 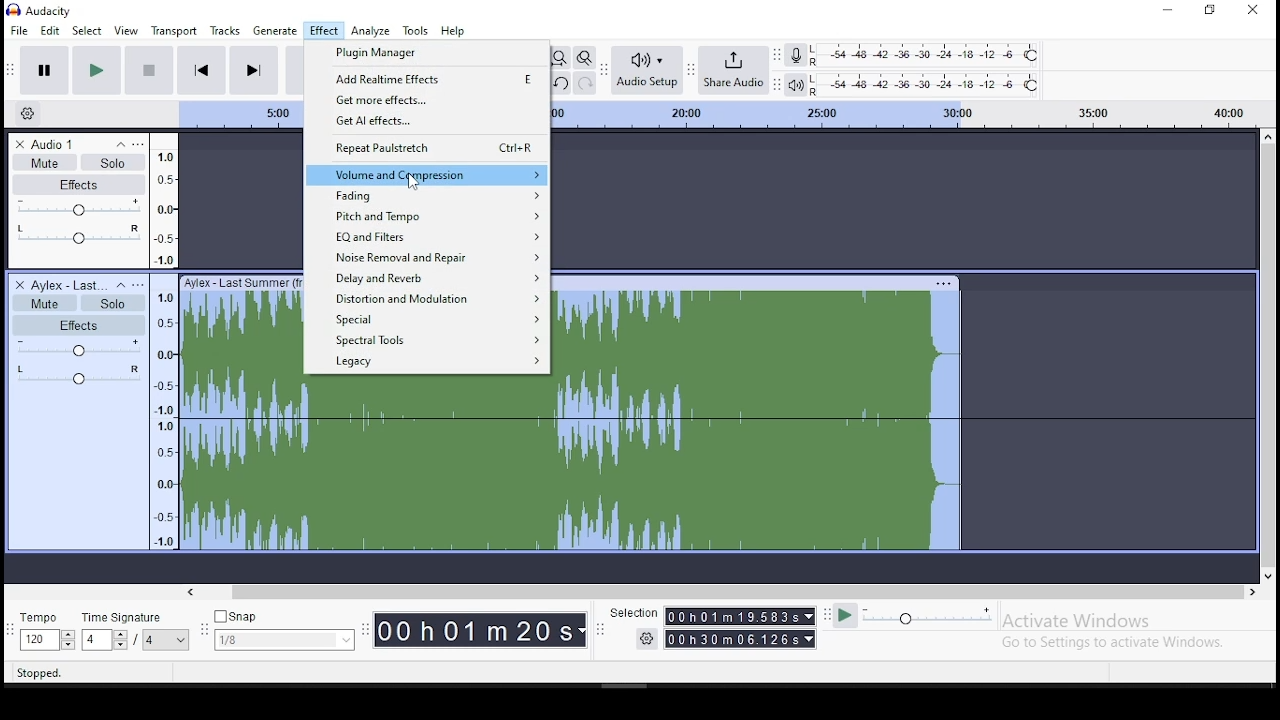 I want to click on stop, so click(x=149, y=69).